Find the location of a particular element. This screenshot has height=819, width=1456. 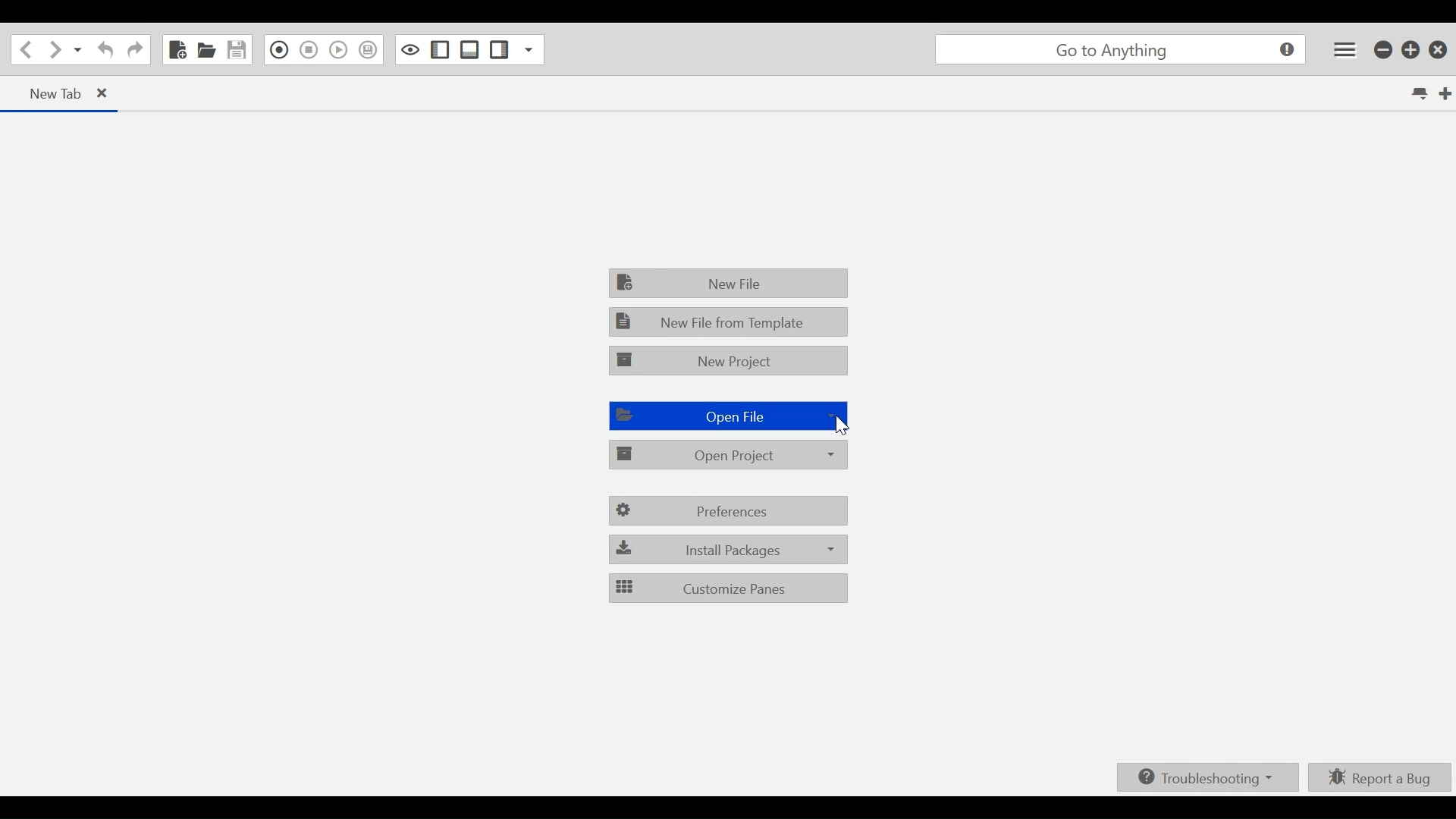

Go back one loaction is located at coordinates (25, 49).